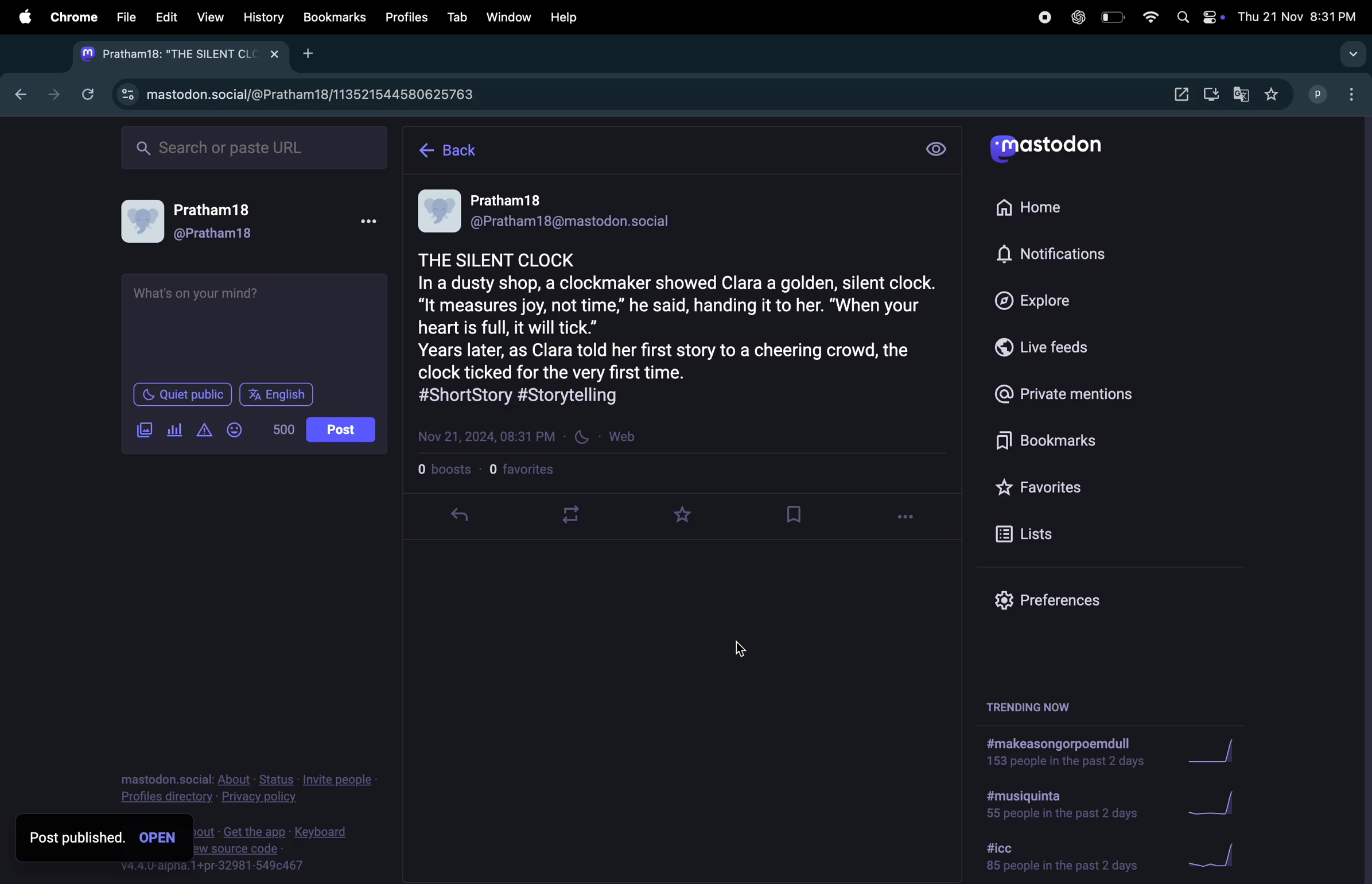 The width and height of the screenshot is (1372, 884). I want to click on notifications, so click(1056, 253).